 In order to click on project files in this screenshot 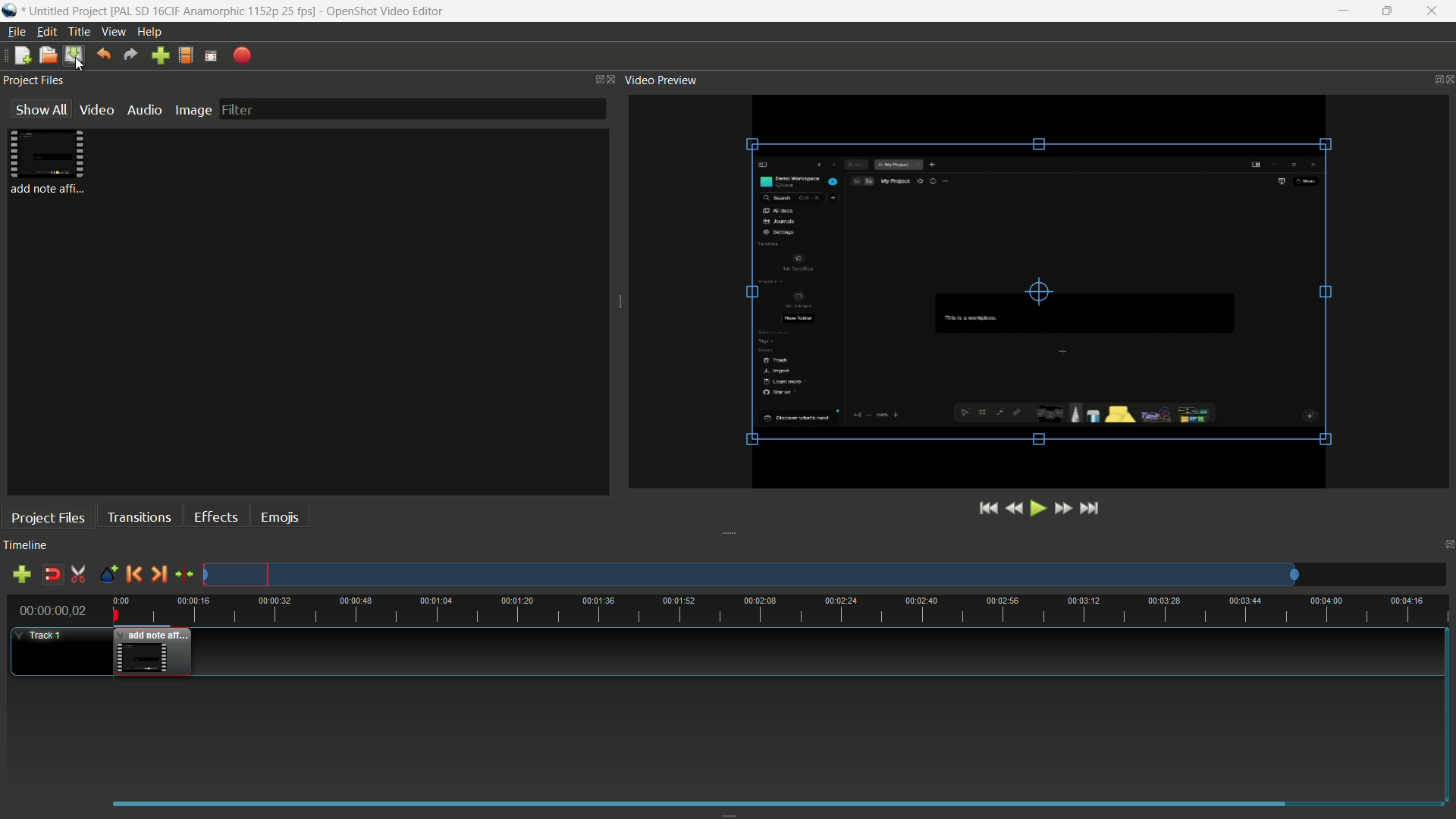, I will do `click(34, 80)`.